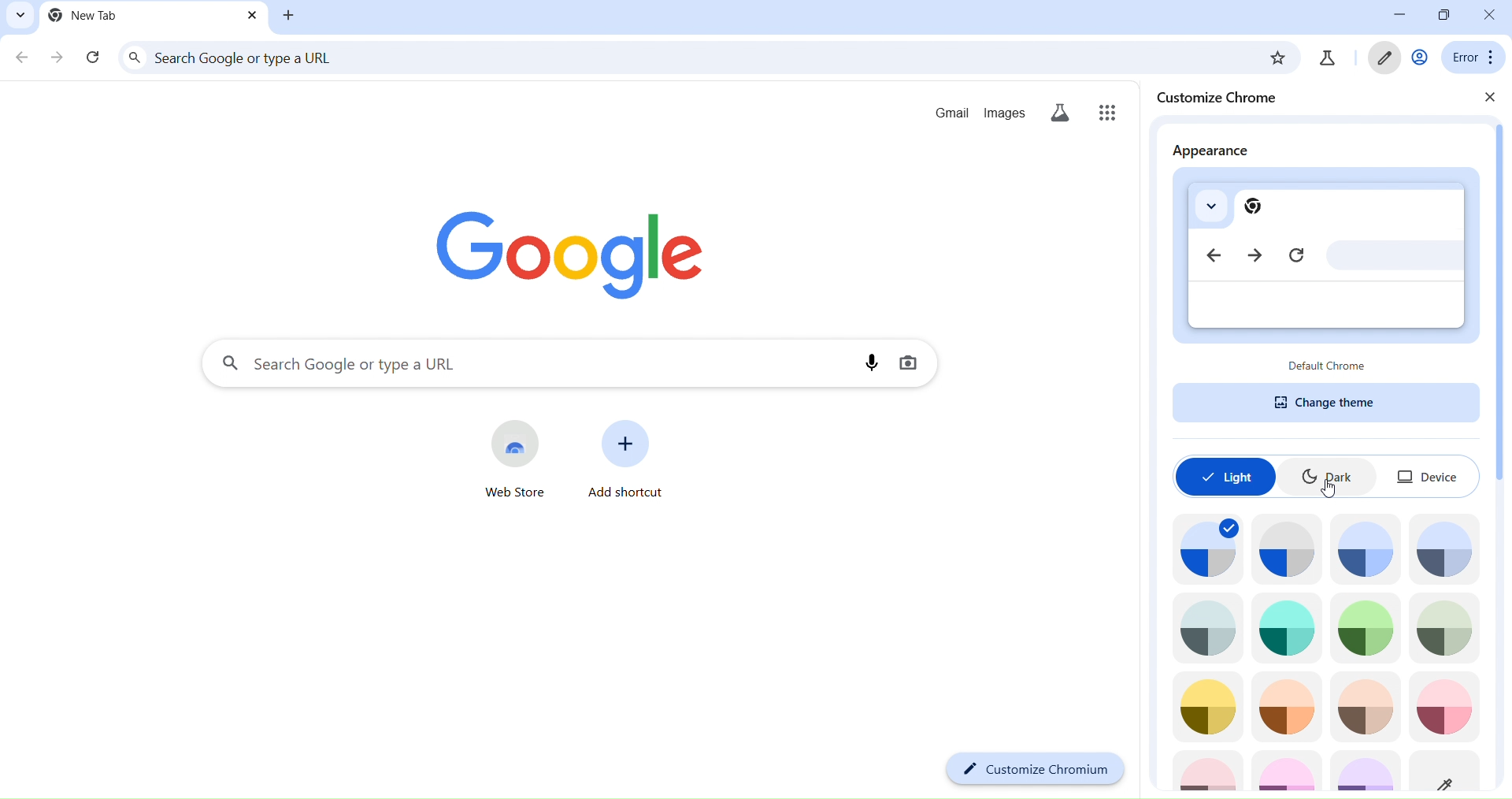 This screenshot has width=1512, height=799. Describe the element at coordinates (1399, 16) in the screenshot. I see `minimize` at that location.